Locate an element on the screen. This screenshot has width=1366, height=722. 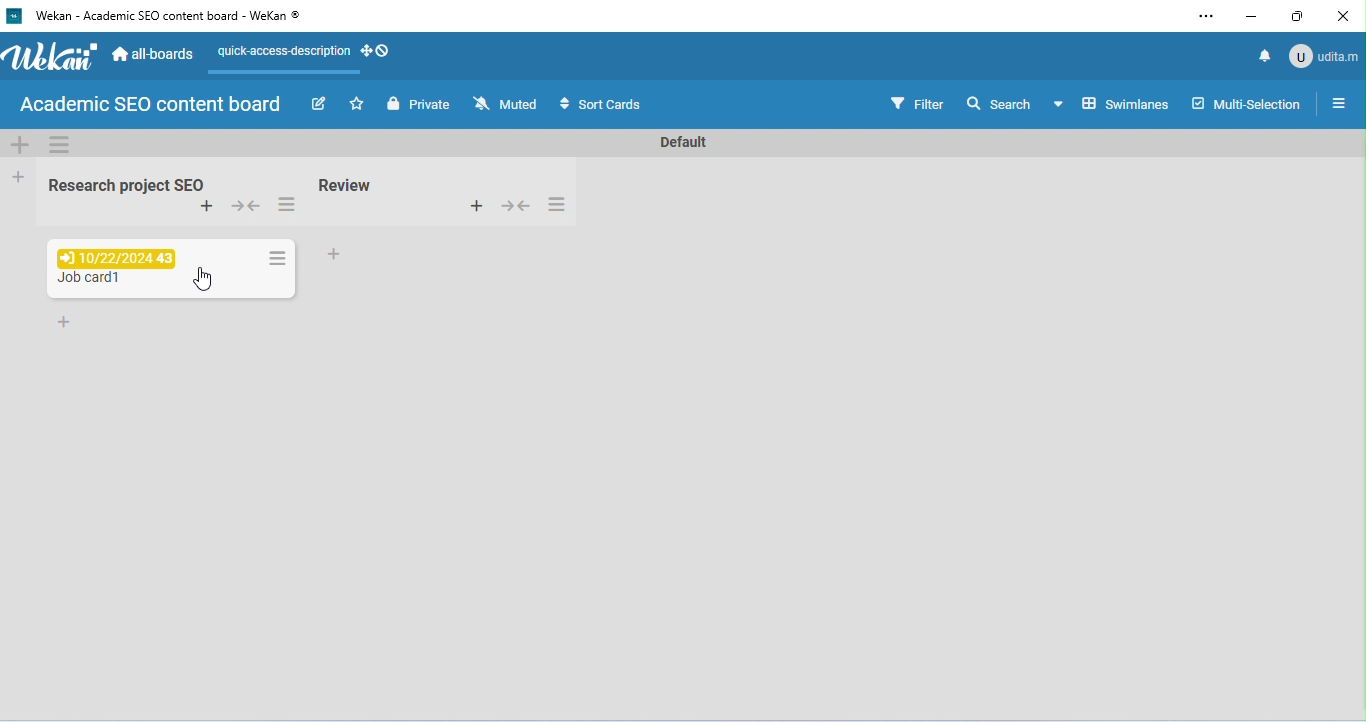
filter is located at coordinates (916, 102).